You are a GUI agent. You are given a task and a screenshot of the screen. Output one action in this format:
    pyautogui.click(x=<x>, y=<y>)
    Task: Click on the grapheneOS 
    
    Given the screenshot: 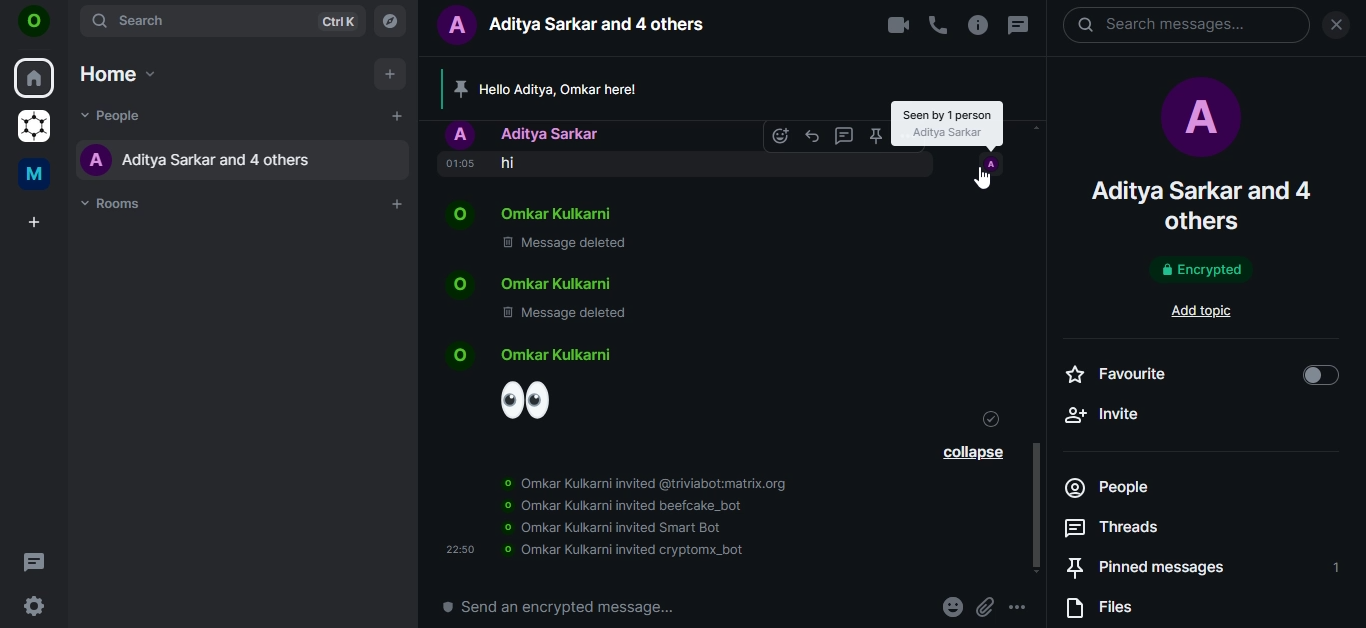 What is the action you would take?
    pyautogui.click(x=32, y=128)
    